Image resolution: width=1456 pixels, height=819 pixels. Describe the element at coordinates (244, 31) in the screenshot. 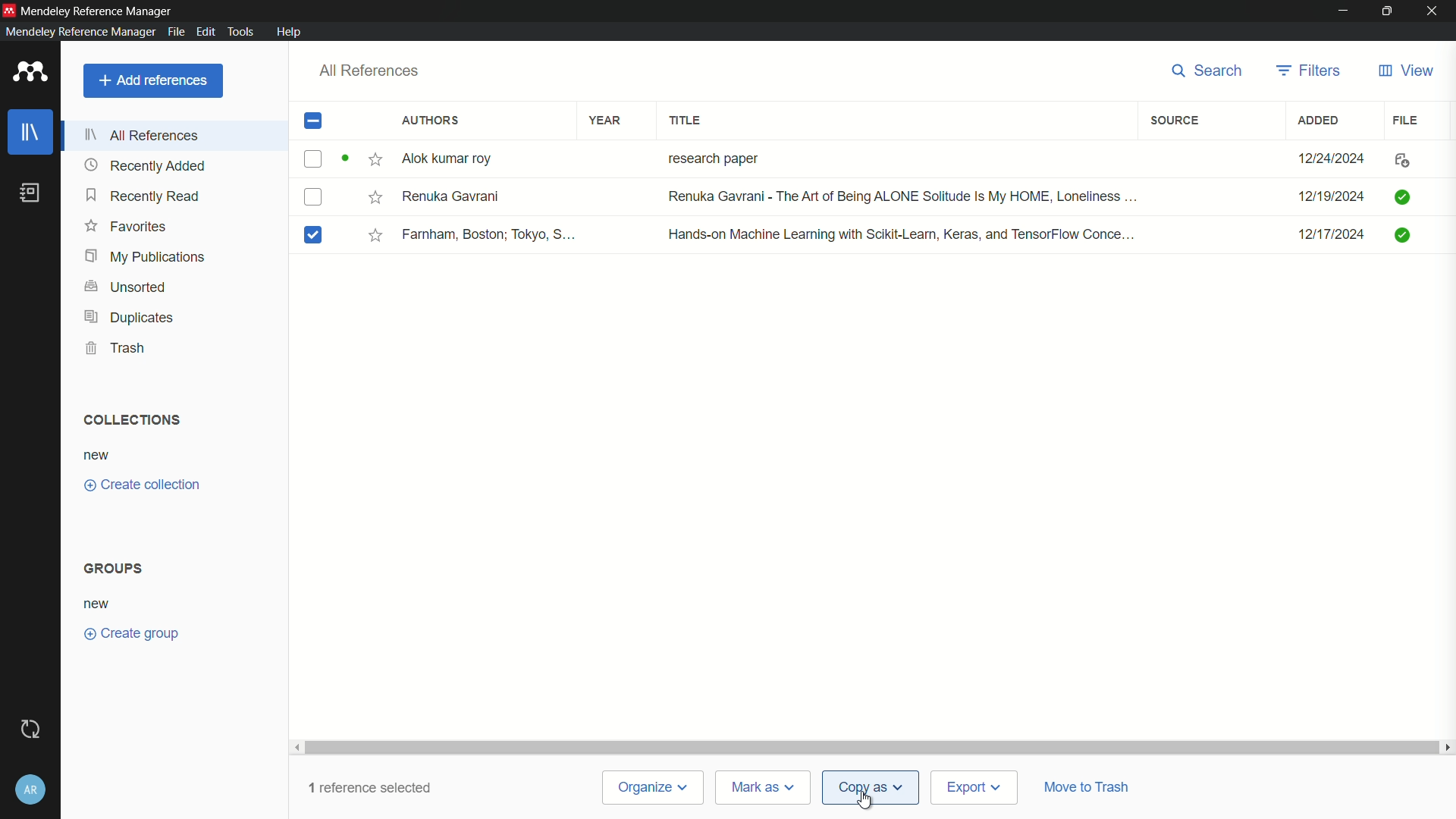

I see `tools menu` at that location.